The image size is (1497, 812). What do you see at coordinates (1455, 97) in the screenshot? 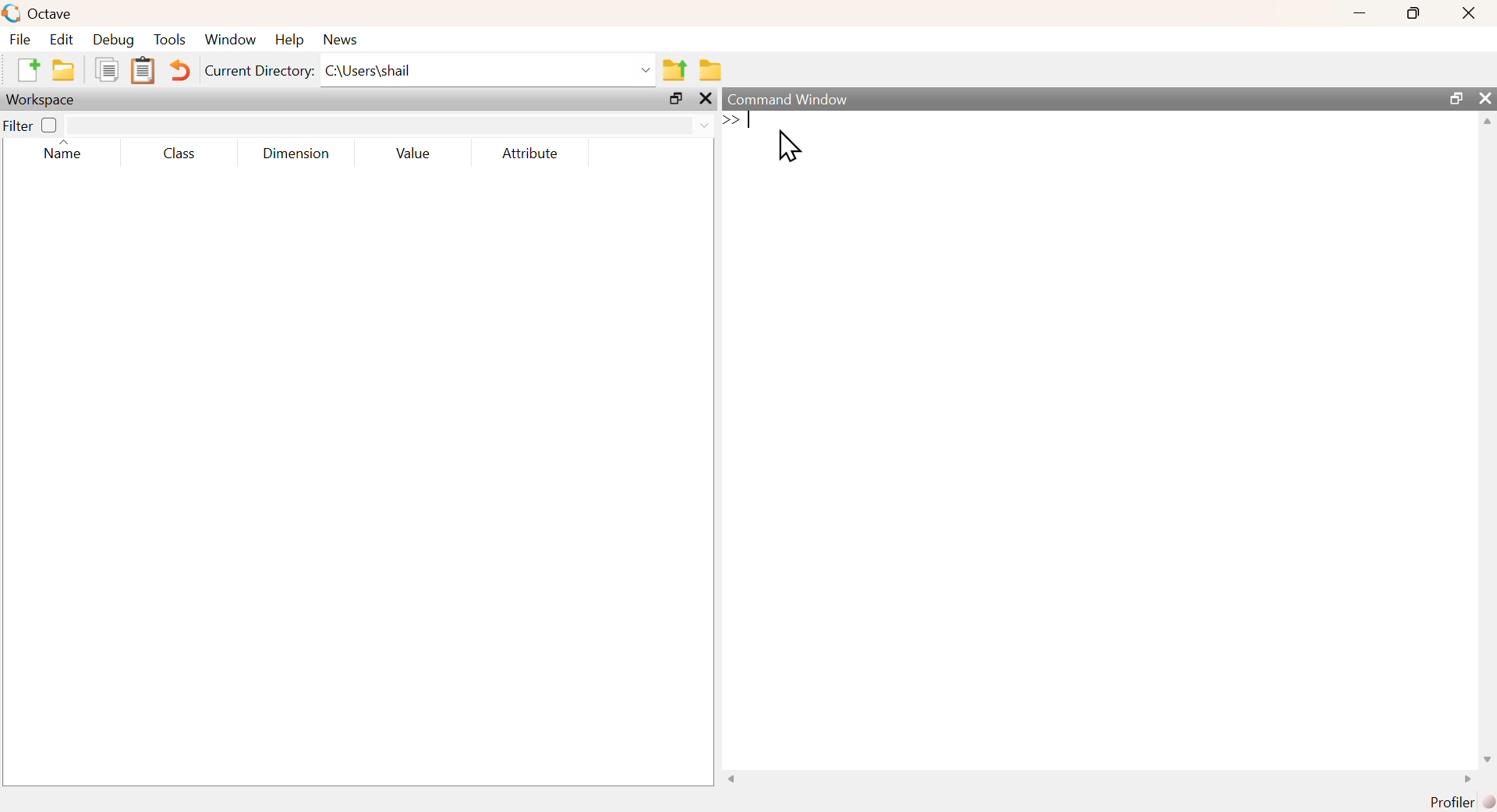
I see `maximize` at bounding box center [1455, 97].